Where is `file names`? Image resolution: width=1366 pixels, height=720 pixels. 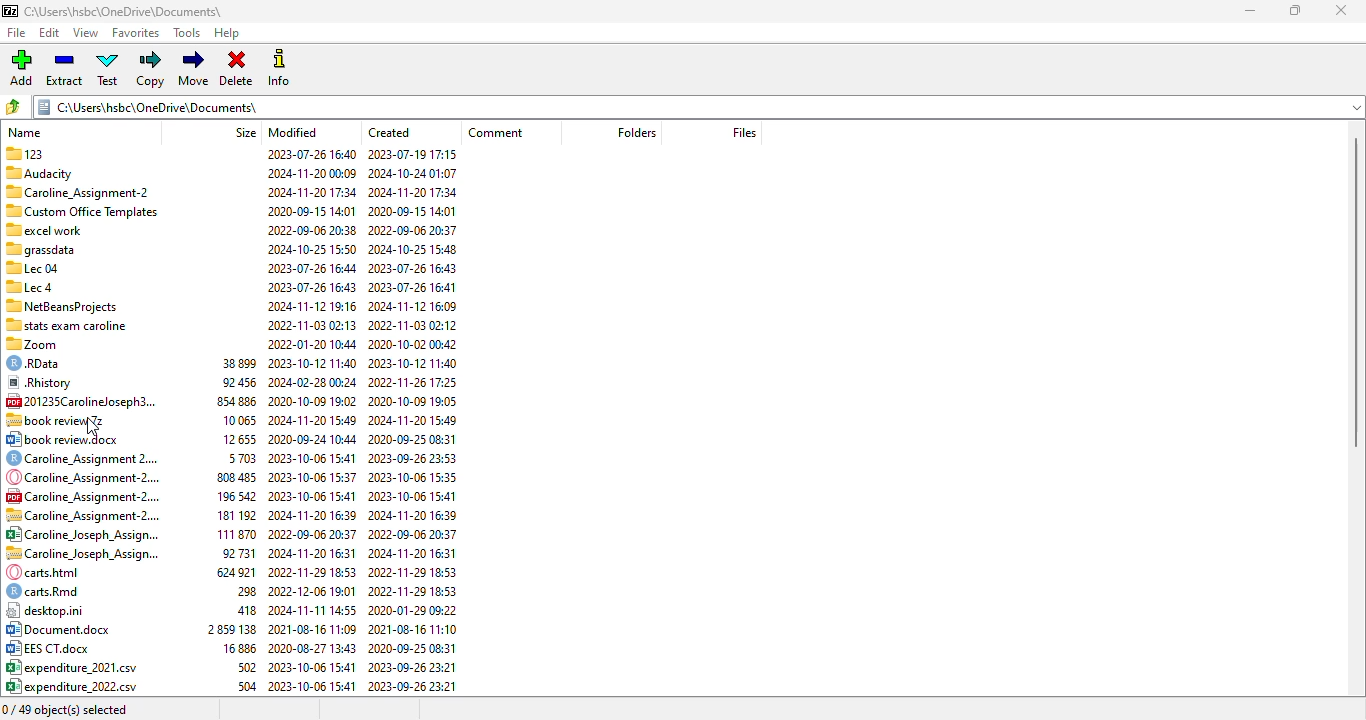 file names is located at coordinates (81, 564).